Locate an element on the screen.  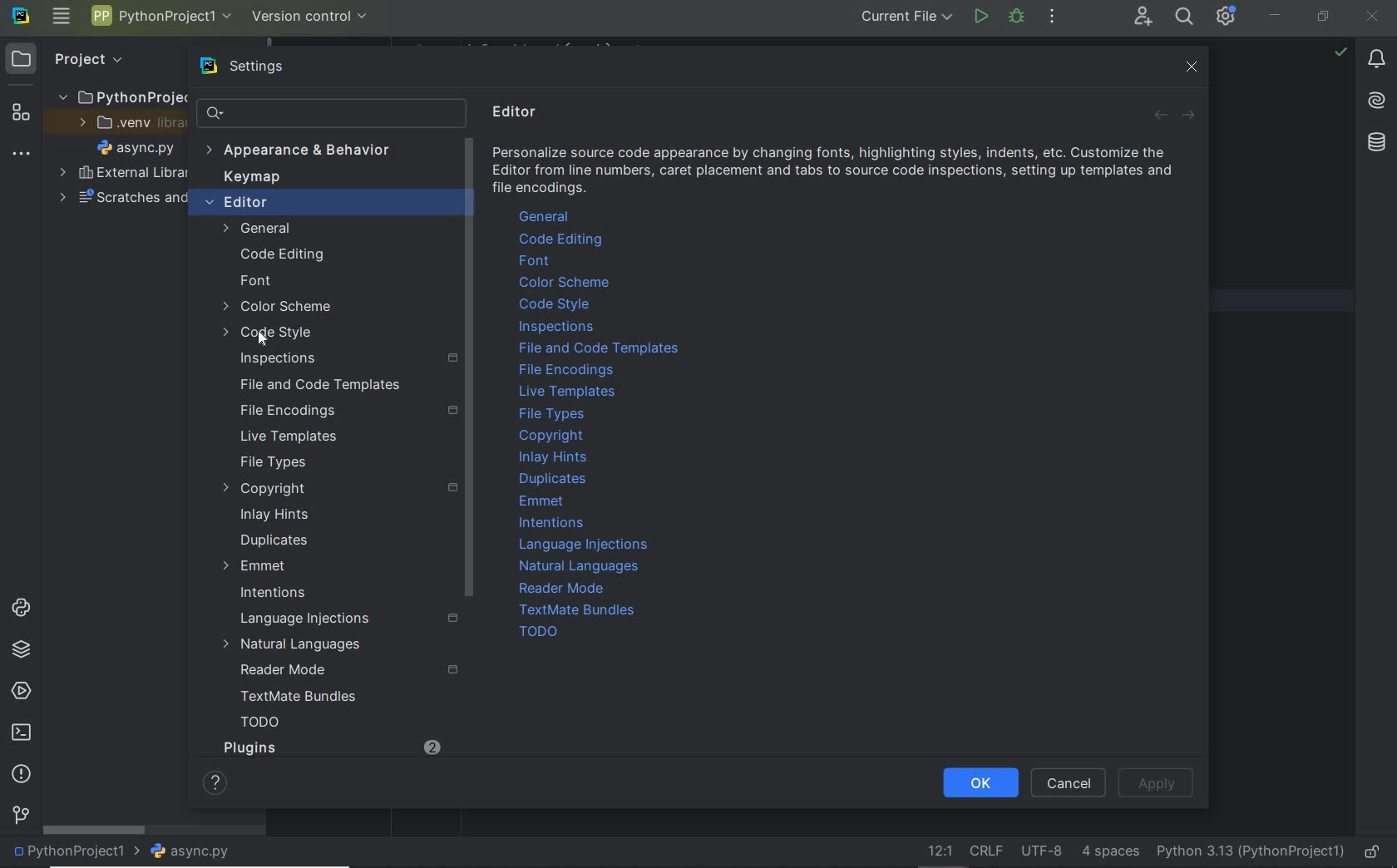
Reader Mode is located at coordinates (569, 589).